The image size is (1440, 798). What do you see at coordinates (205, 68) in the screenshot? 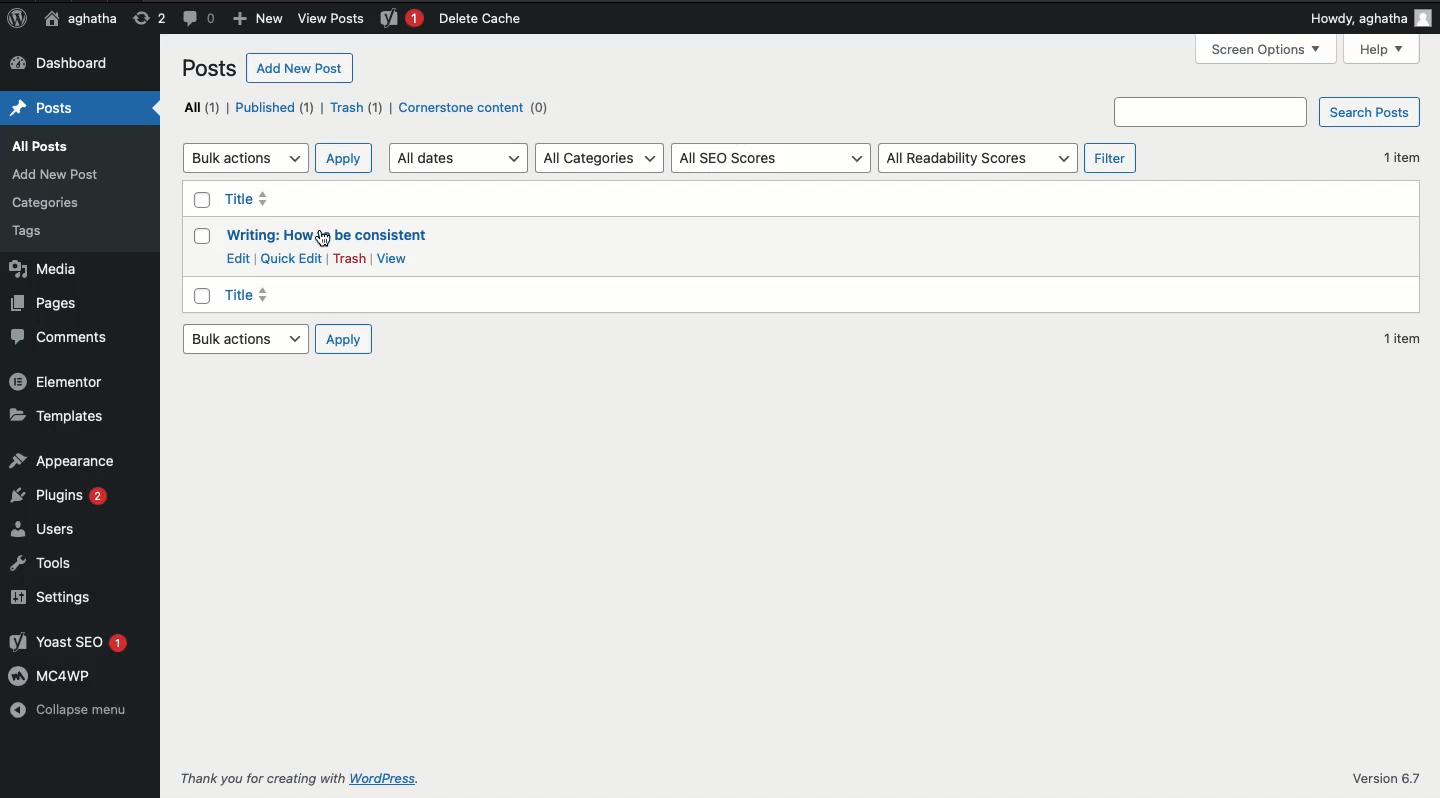
I see `Posts` at bounding box center [205, 68].